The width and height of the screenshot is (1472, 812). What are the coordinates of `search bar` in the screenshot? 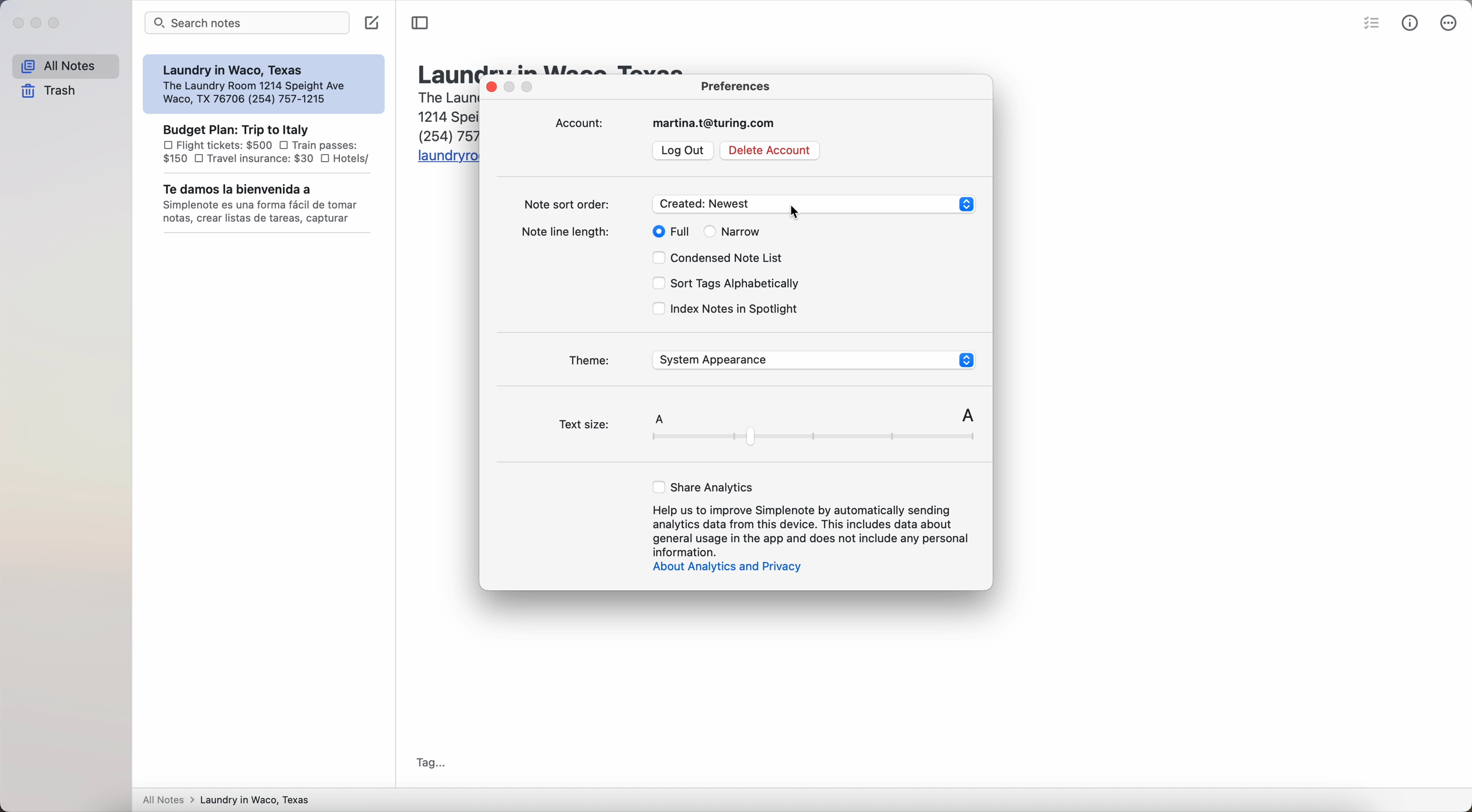 It's located at (247, 23).